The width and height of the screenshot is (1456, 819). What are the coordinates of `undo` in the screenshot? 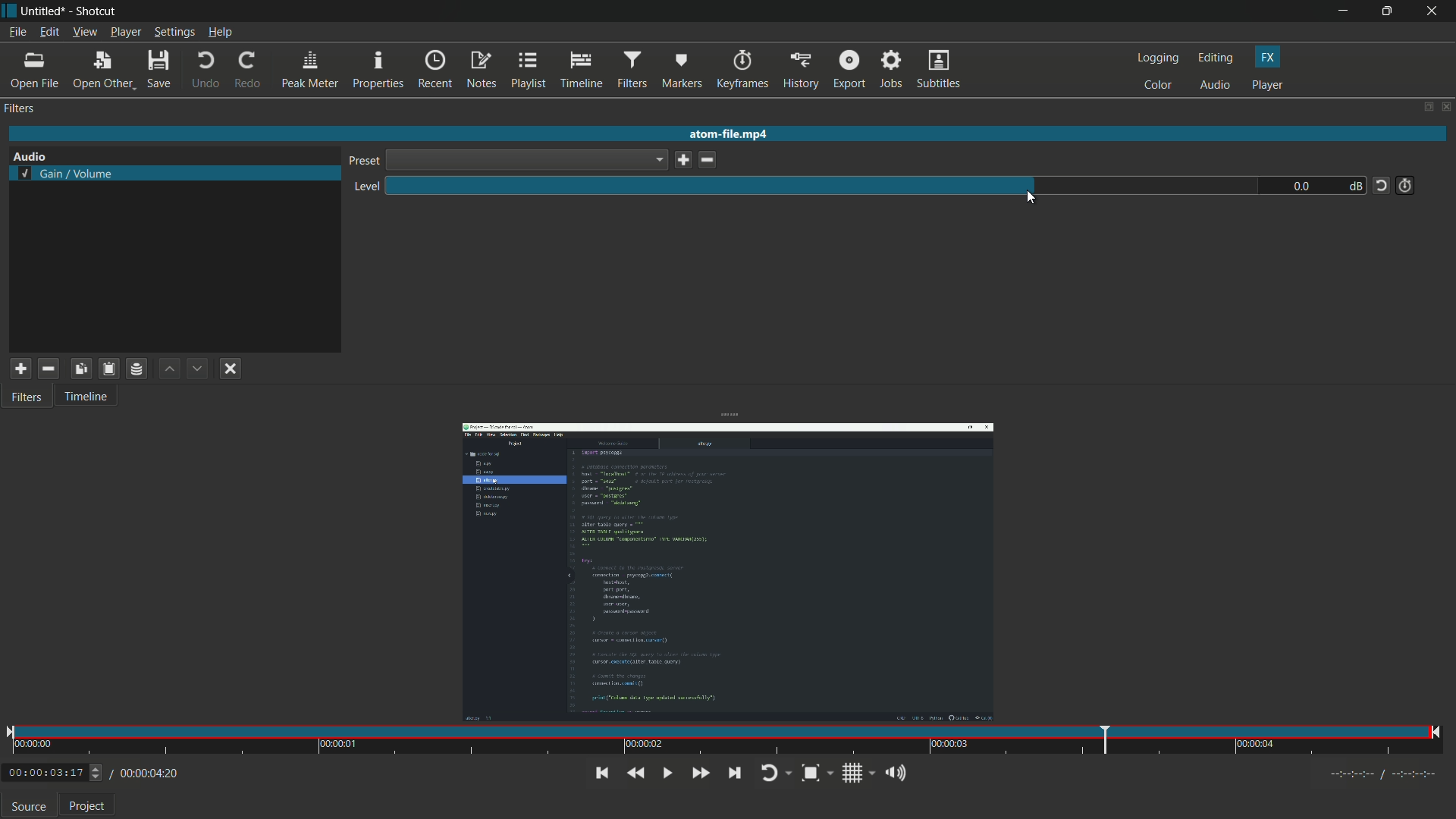 It's located at (206, 71).